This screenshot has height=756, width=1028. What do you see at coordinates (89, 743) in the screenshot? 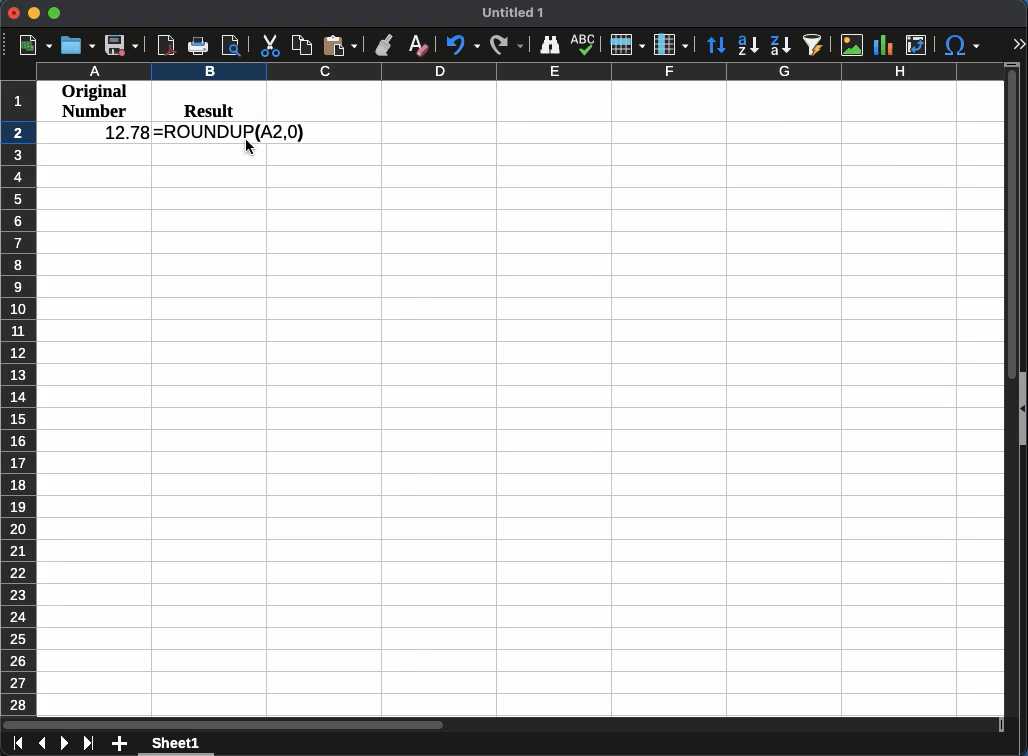
I see `last sheet` at bounding box center [89, 743].